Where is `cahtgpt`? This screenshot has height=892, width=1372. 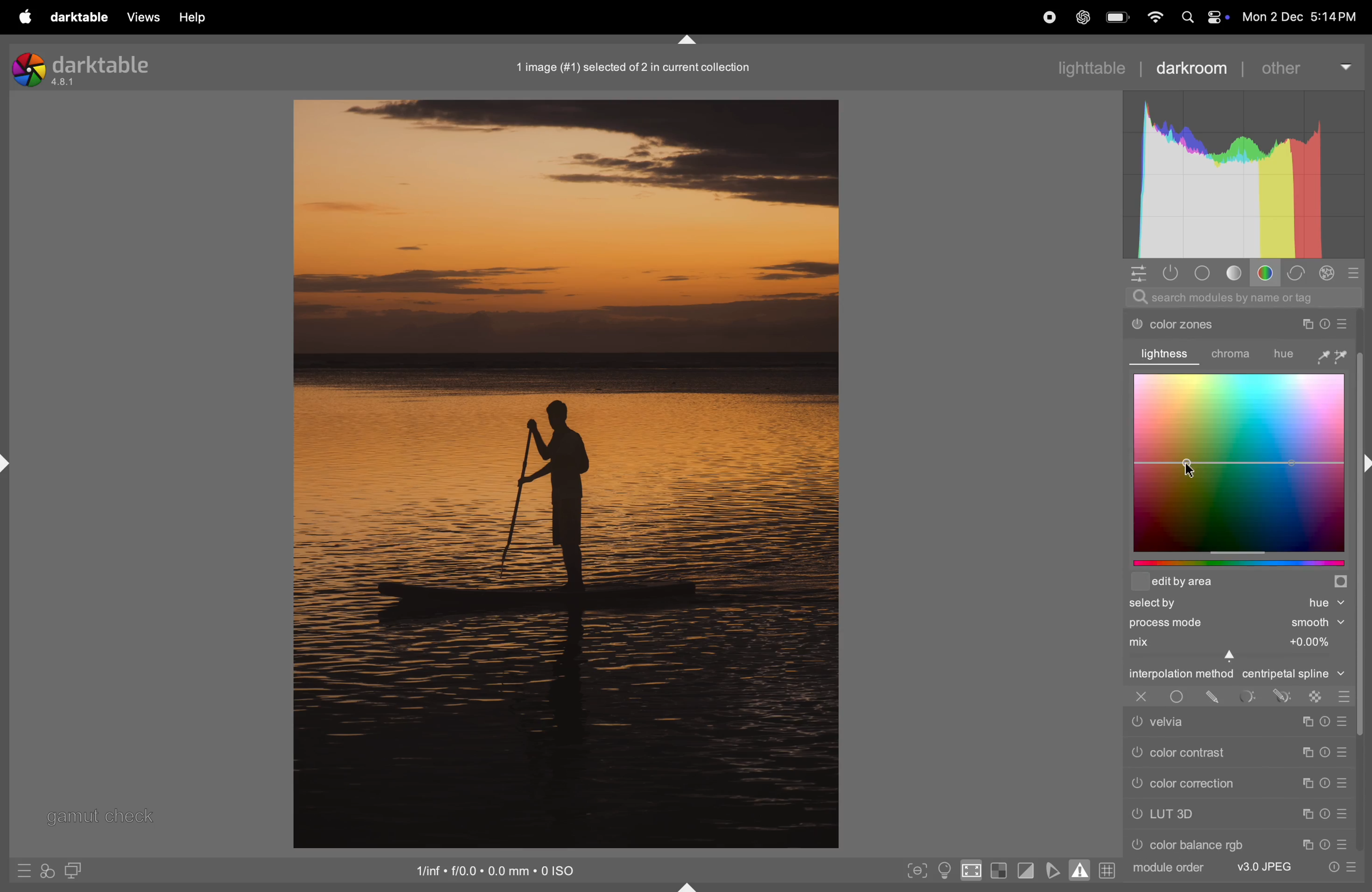 cahtgpt is located at coordinates (1081, 17).